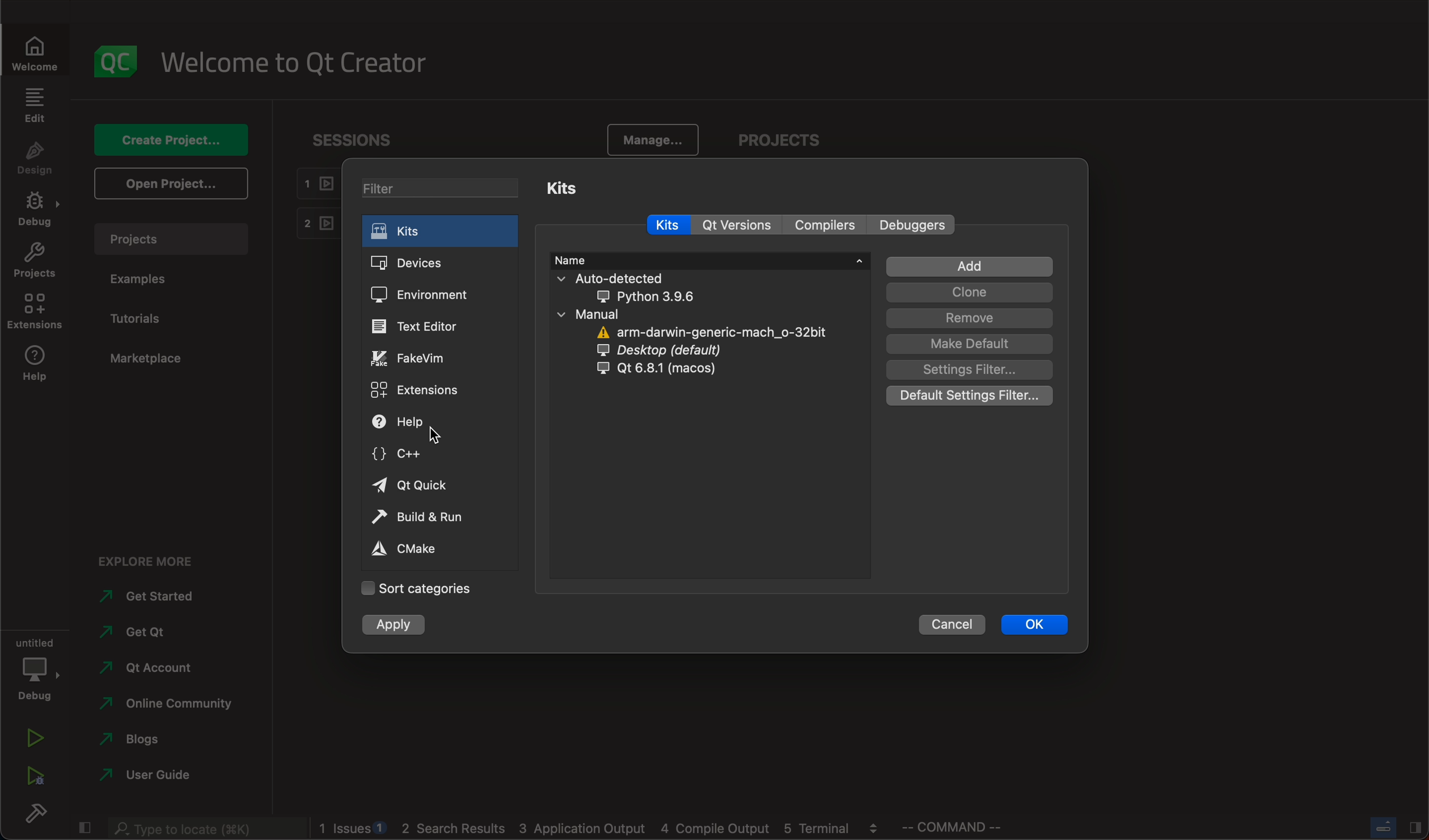  What do you see at coordinates (40, 311) in the screenshot?
I see `extensions` at bounding box center [40, 311].